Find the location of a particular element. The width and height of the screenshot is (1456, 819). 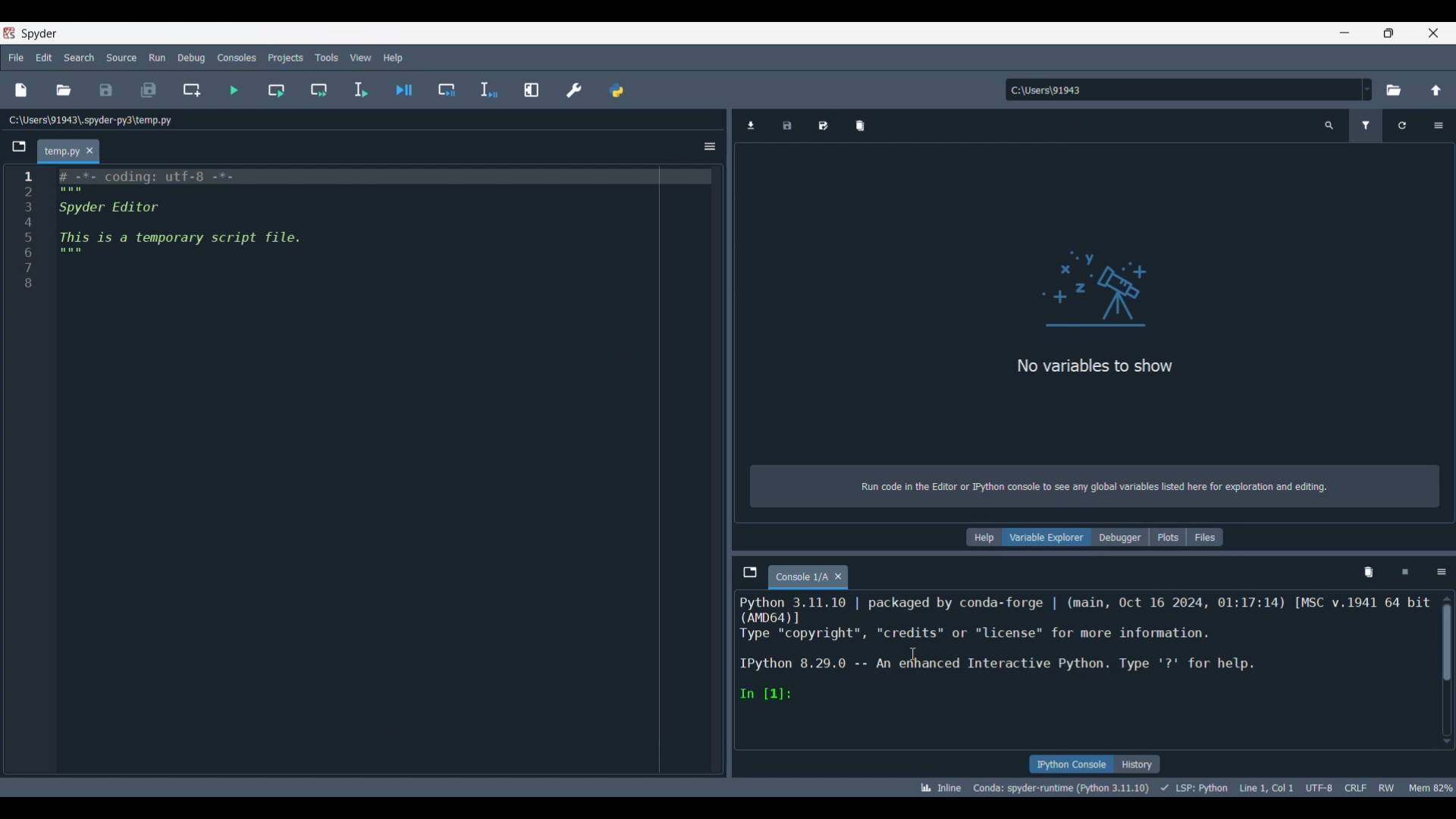

File menu is located at coordinates (16, 58).